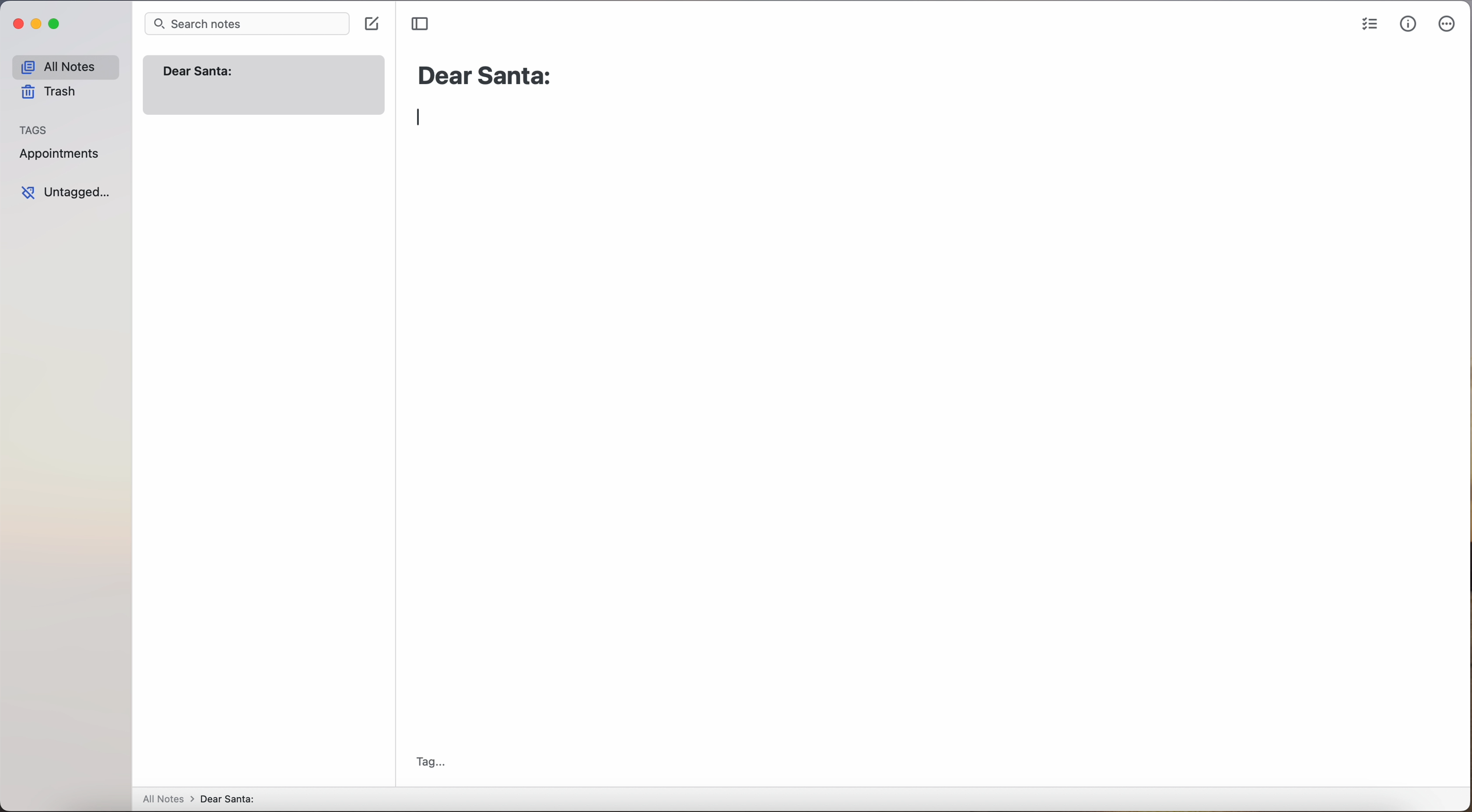  I want to click on metrics, so click(1409, 24).